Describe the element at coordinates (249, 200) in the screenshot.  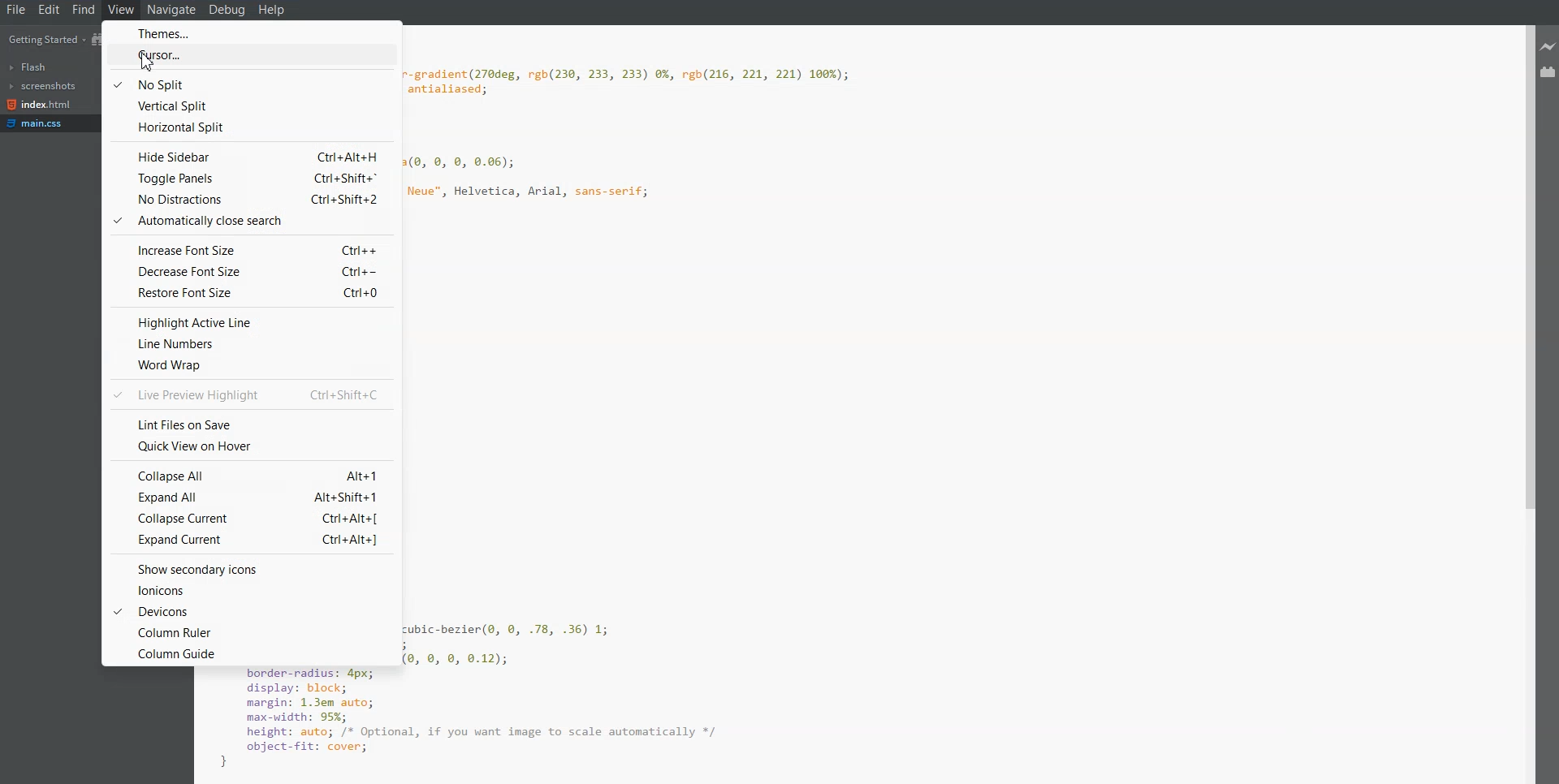
I see `No distractions` at that location.